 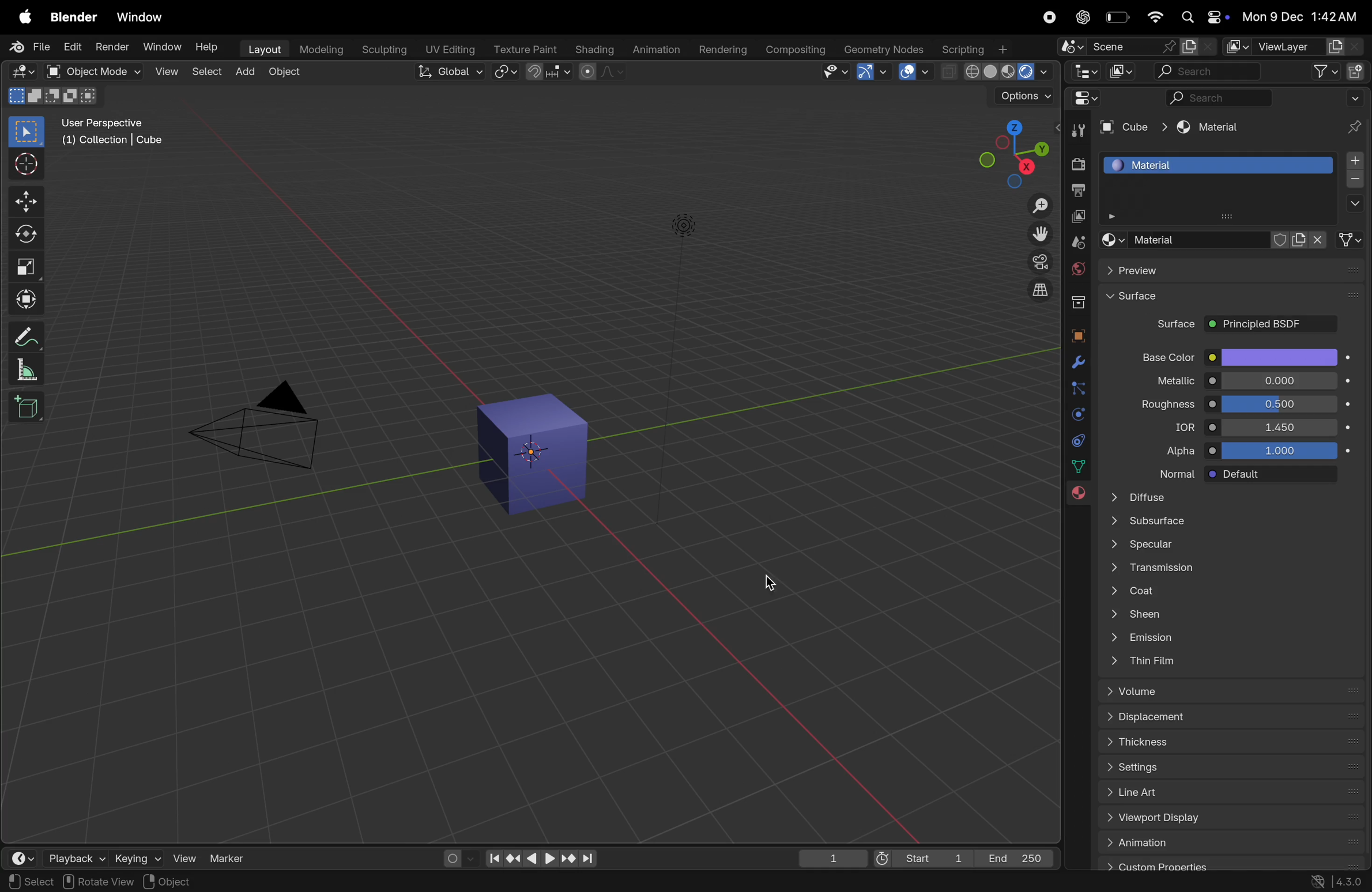 I want to click on animation, so click(x=1230, y=842).